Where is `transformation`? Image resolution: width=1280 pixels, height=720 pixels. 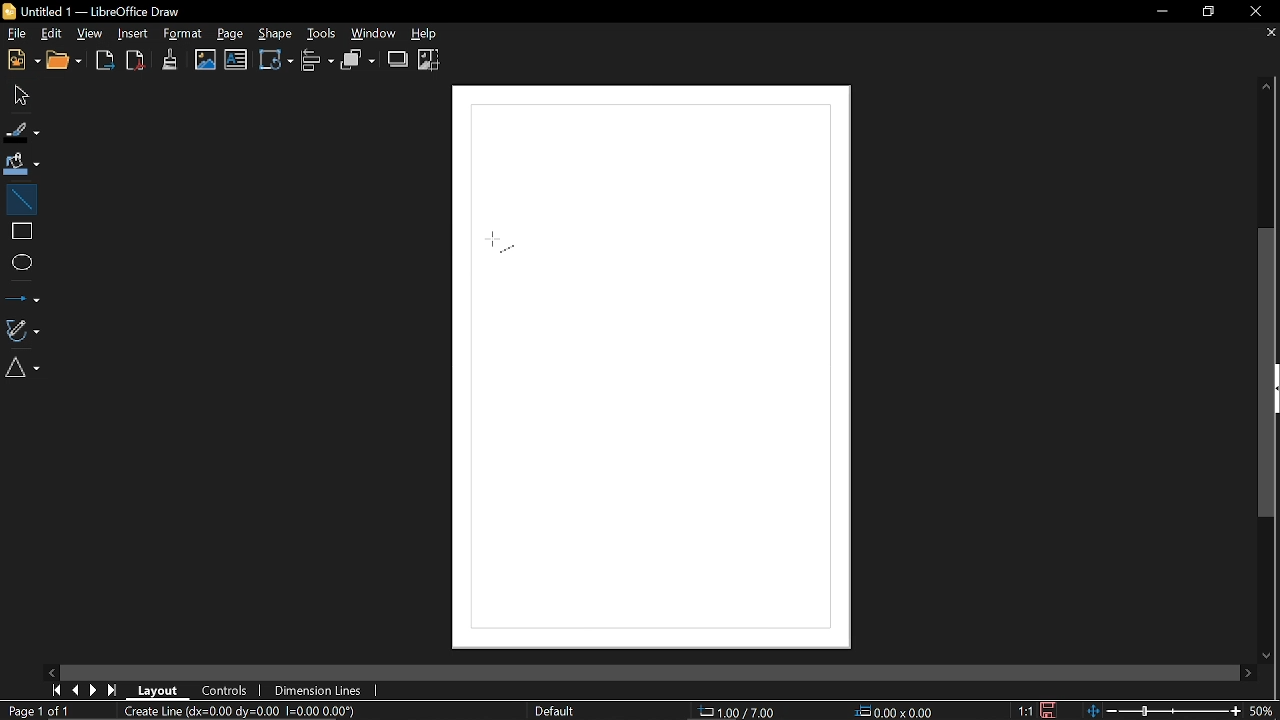 transformation is located at coordinates (274, 62).